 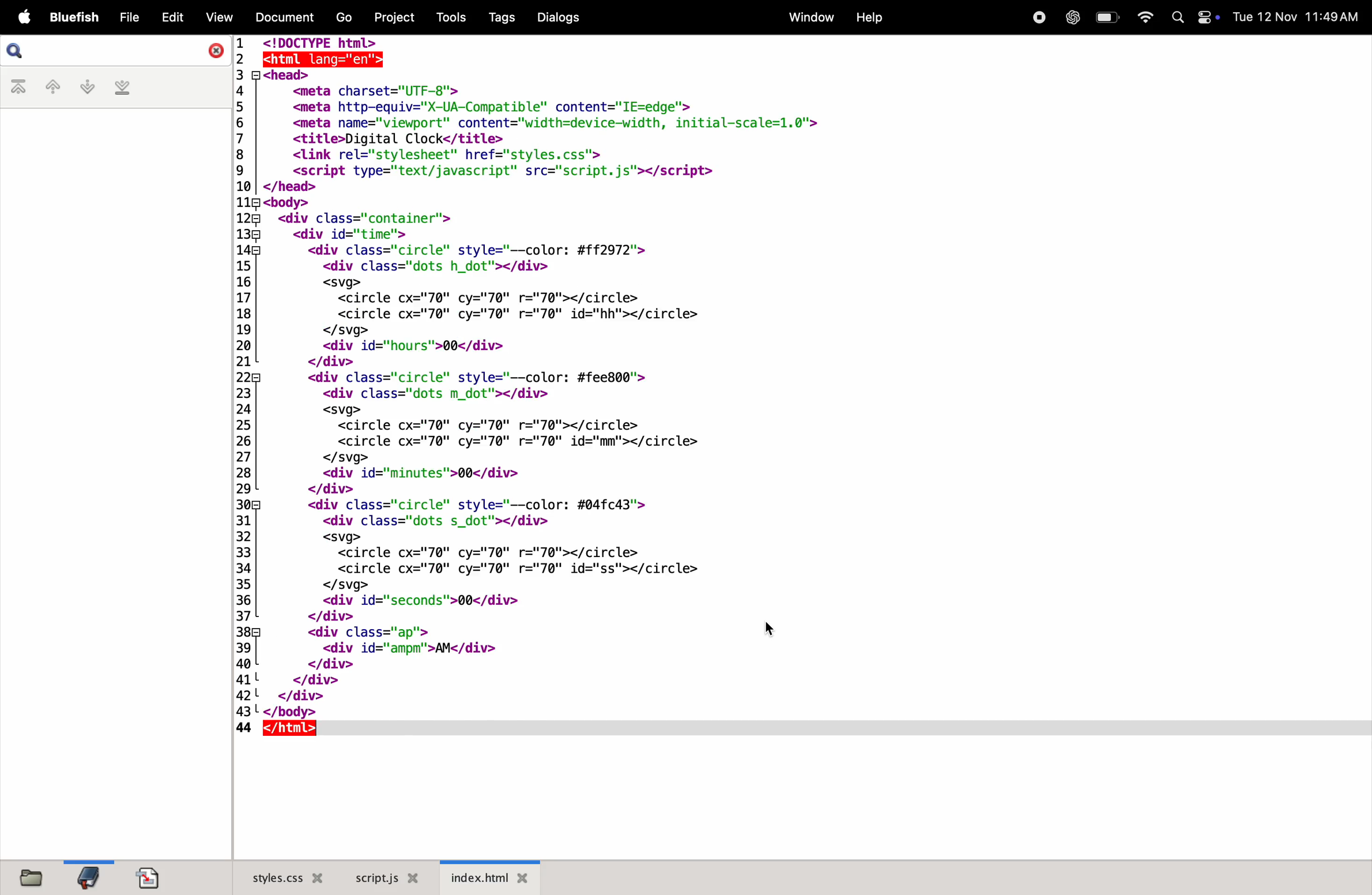 What do you see at coordinates (86, 876) in the screenshot?
I see `bookmarksfile` at bounding box center [86, 876].